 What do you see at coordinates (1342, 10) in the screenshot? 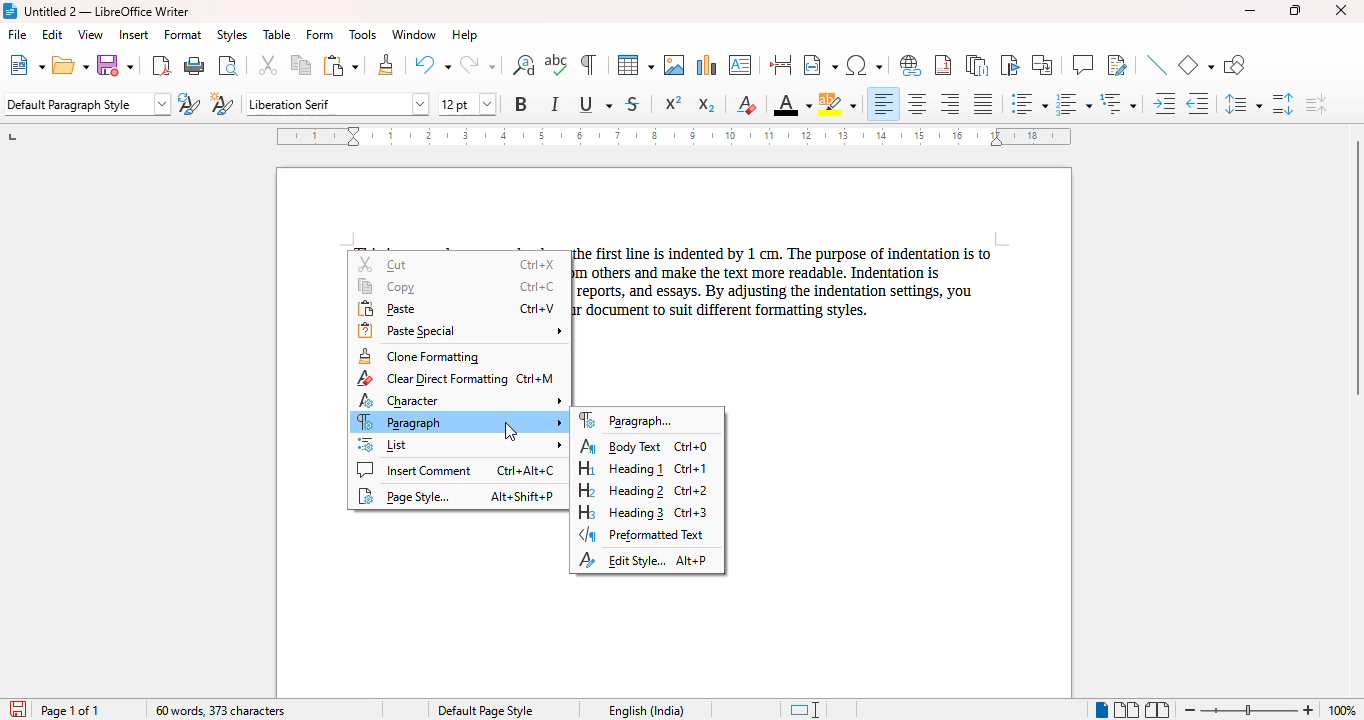
I see `close` at bounding box center [1342, 10].